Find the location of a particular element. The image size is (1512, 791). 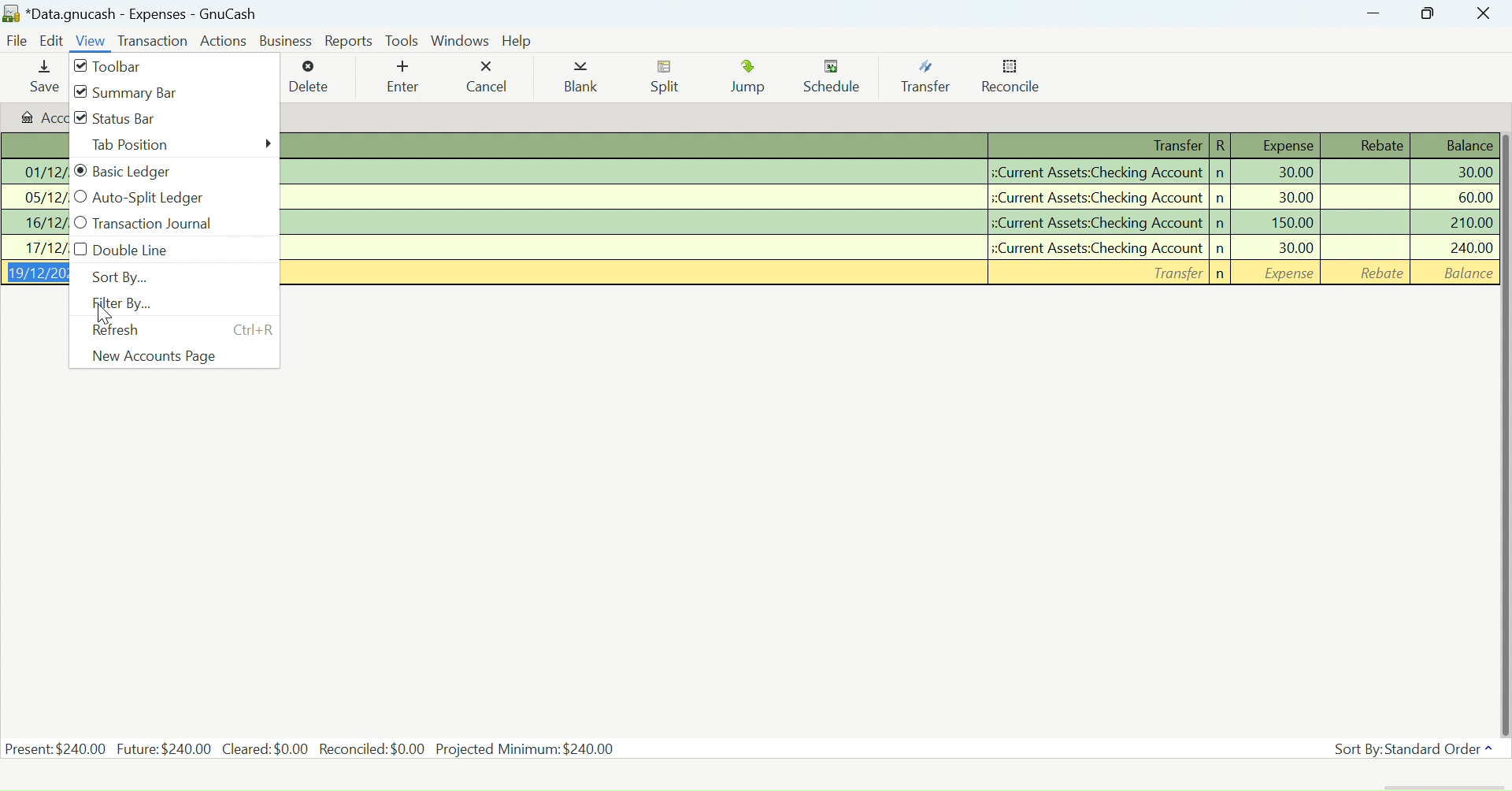

Schedule is located at coordinates (837, 77).